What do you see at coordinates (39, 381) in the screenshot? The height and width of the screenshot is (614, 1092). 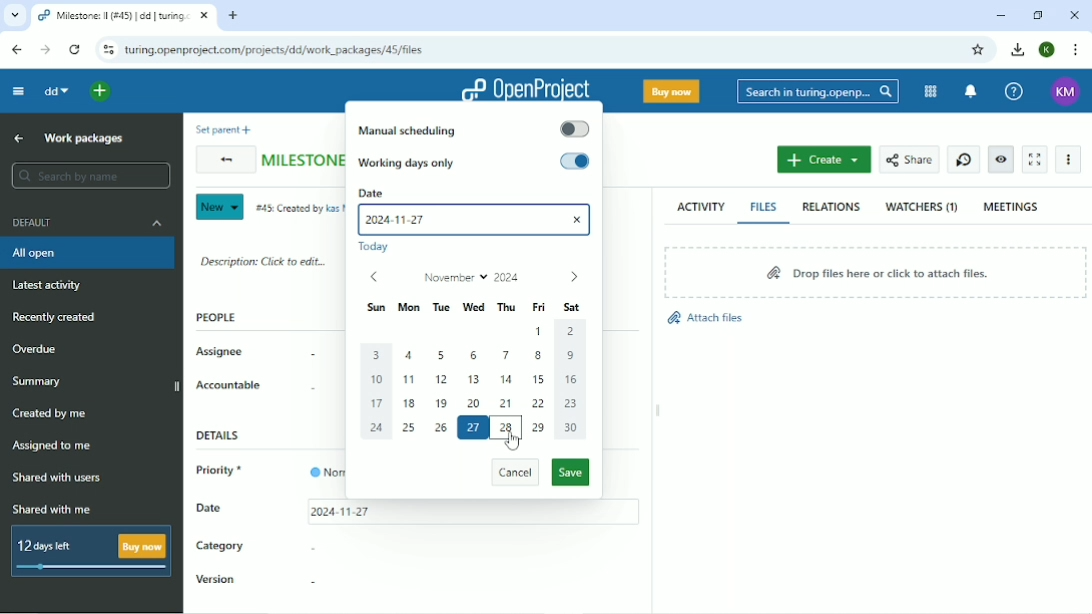 I see `Summary` at bounding box center [39, 381].